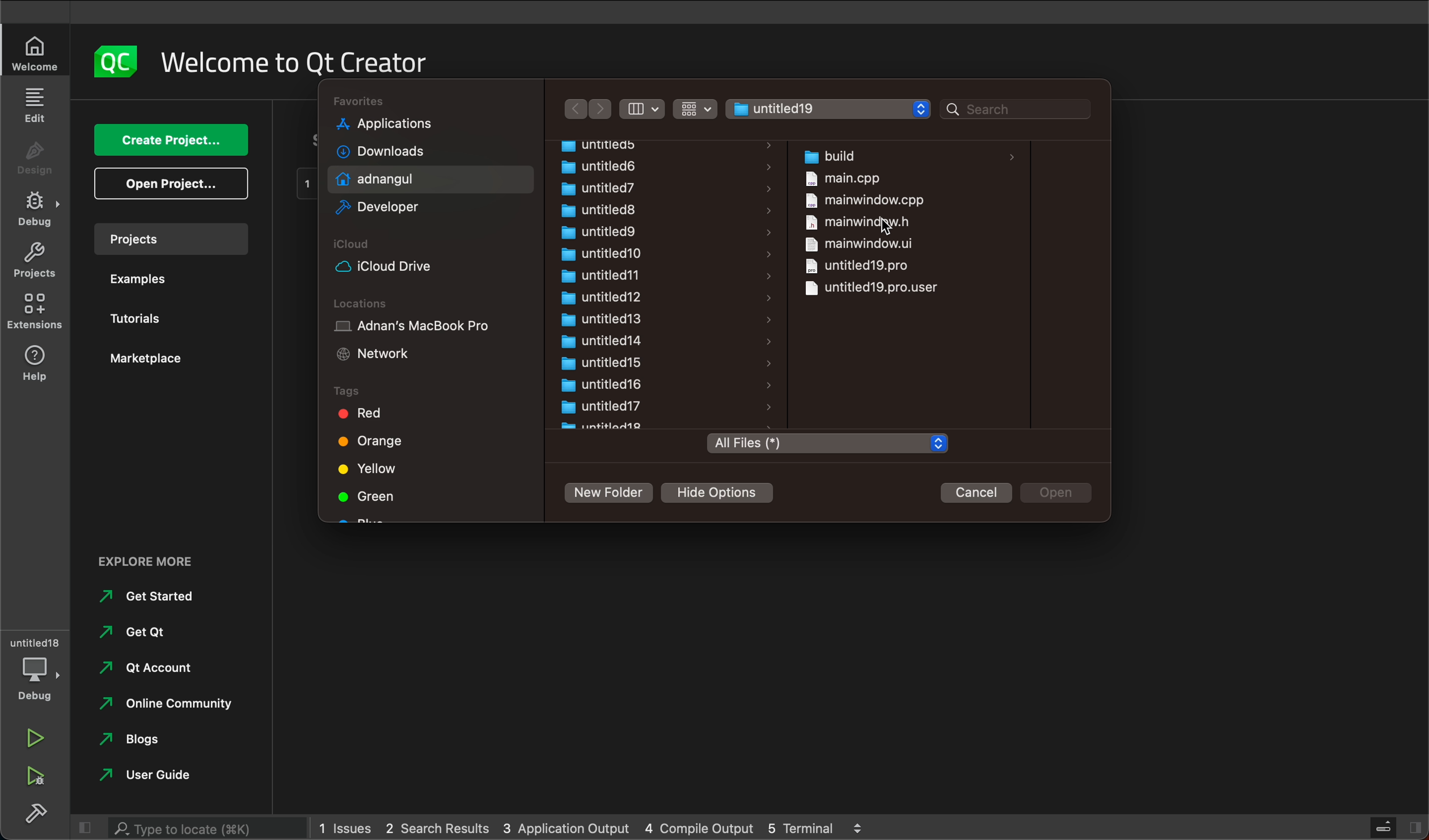 Image resolution: width=1429 pixels, height=840 pixels. What do you see at coordinates (723, 493) in the screenshot?
I see `hide options` at bounding box center [723, 493].